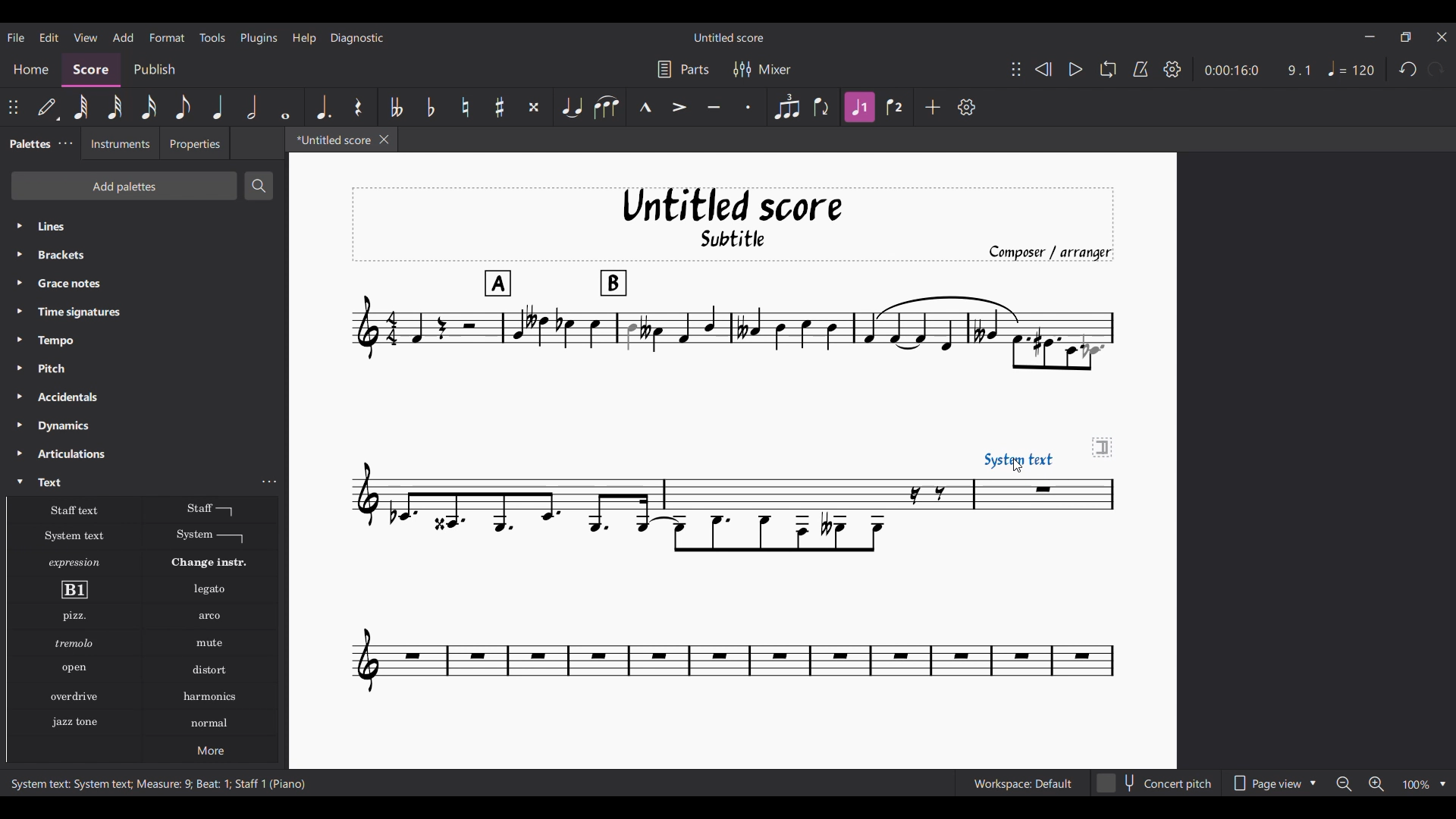  I want to click on Tenuto, so click(714, 108).